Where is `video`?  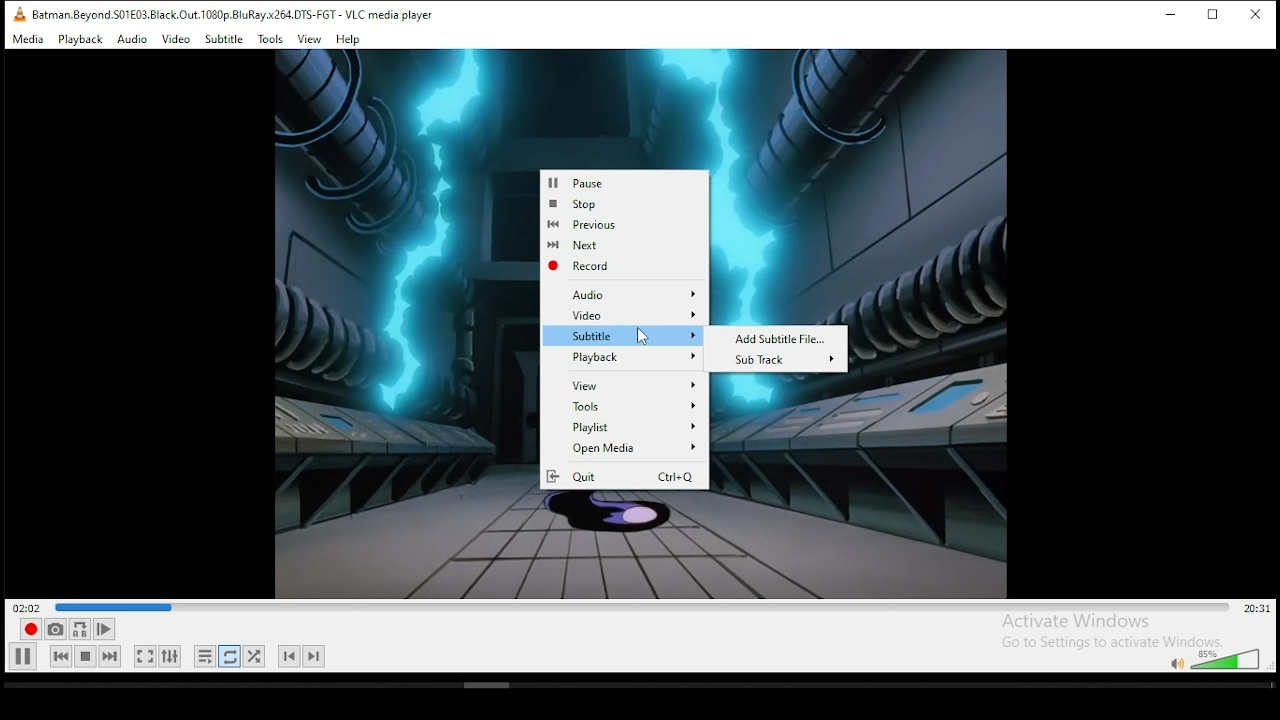 video is located at coordinates (176, 39).